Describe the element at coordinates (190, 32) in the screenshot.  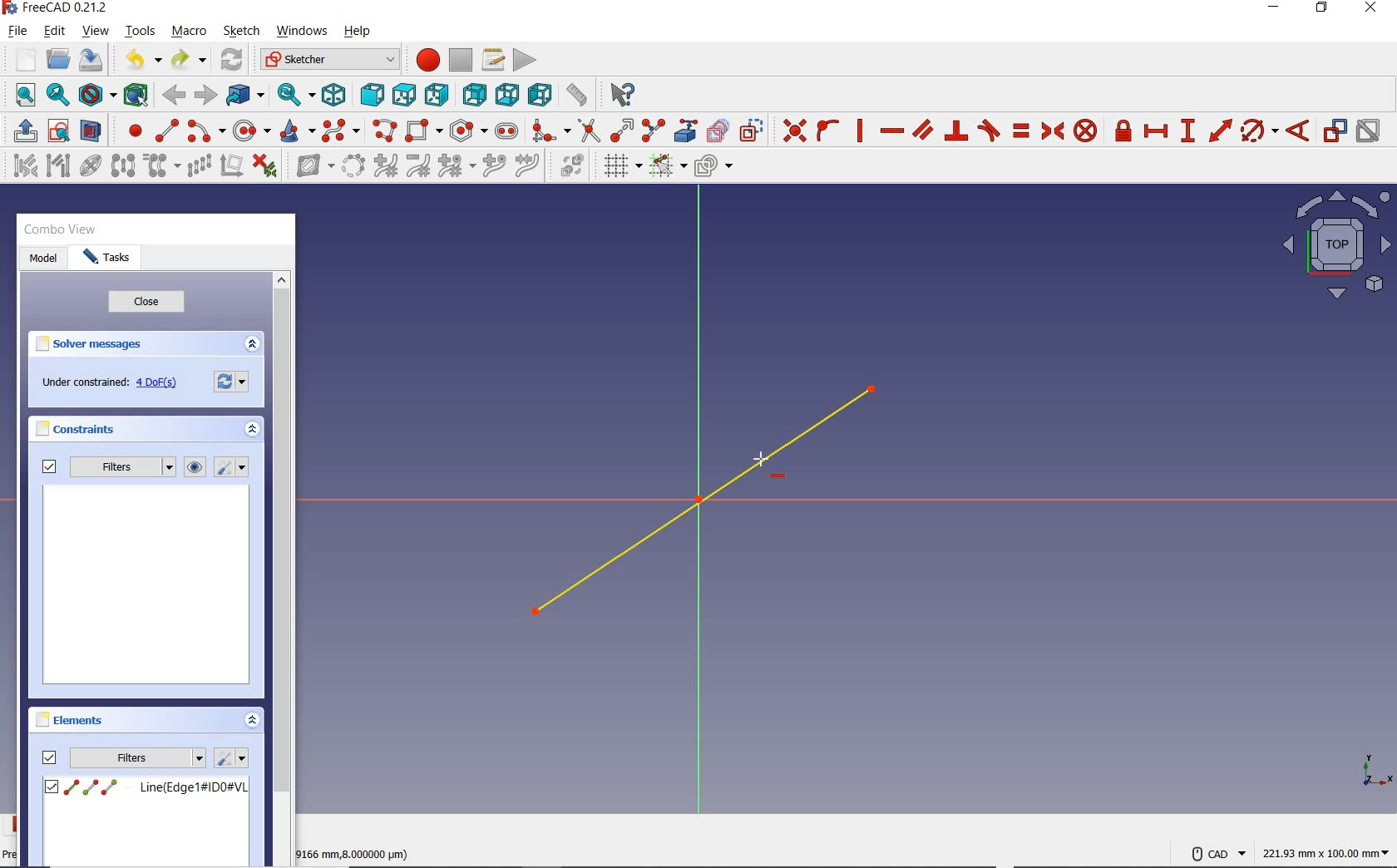
I see `MACRO` at that location.